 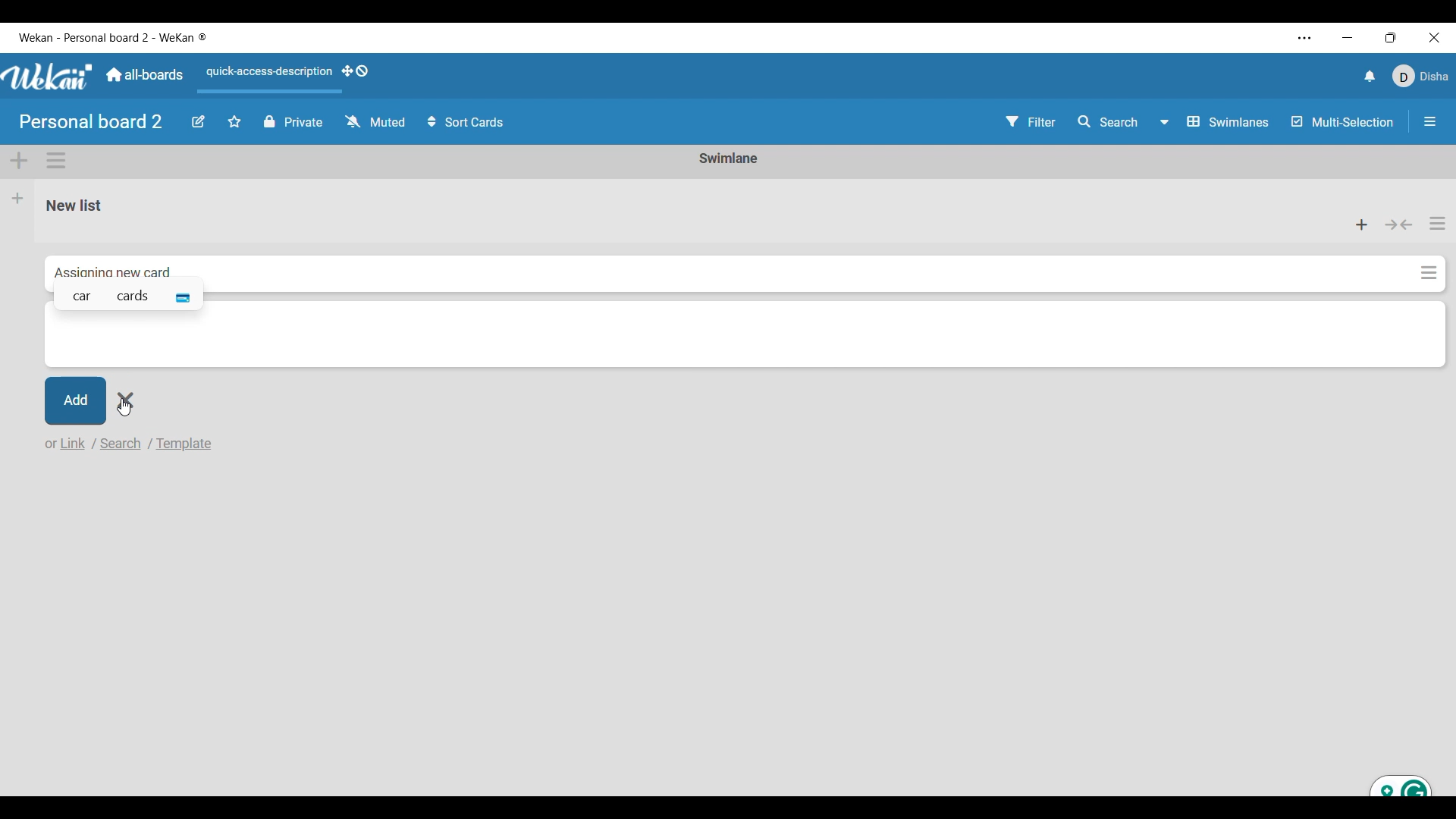 I want to click on Star board, so click(x=234, y=121).